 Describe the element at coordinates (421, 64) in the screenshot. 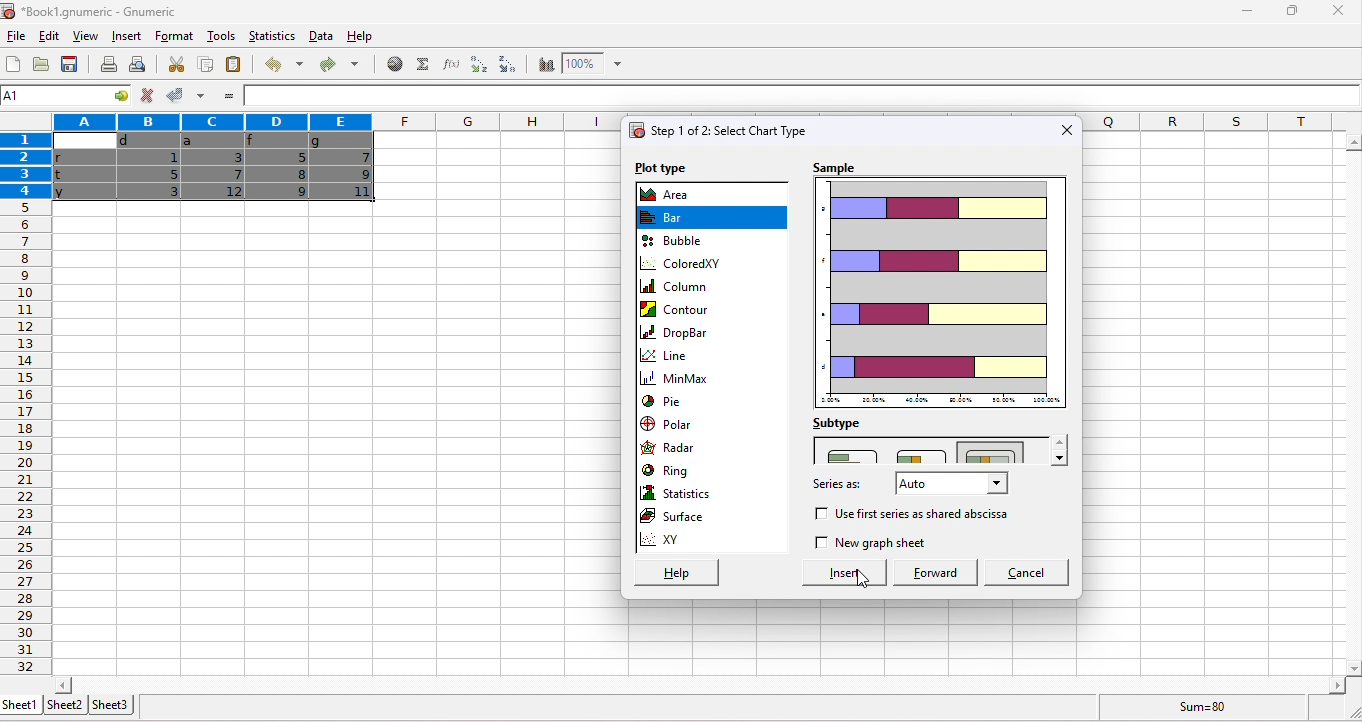

I see `select function` at that location.